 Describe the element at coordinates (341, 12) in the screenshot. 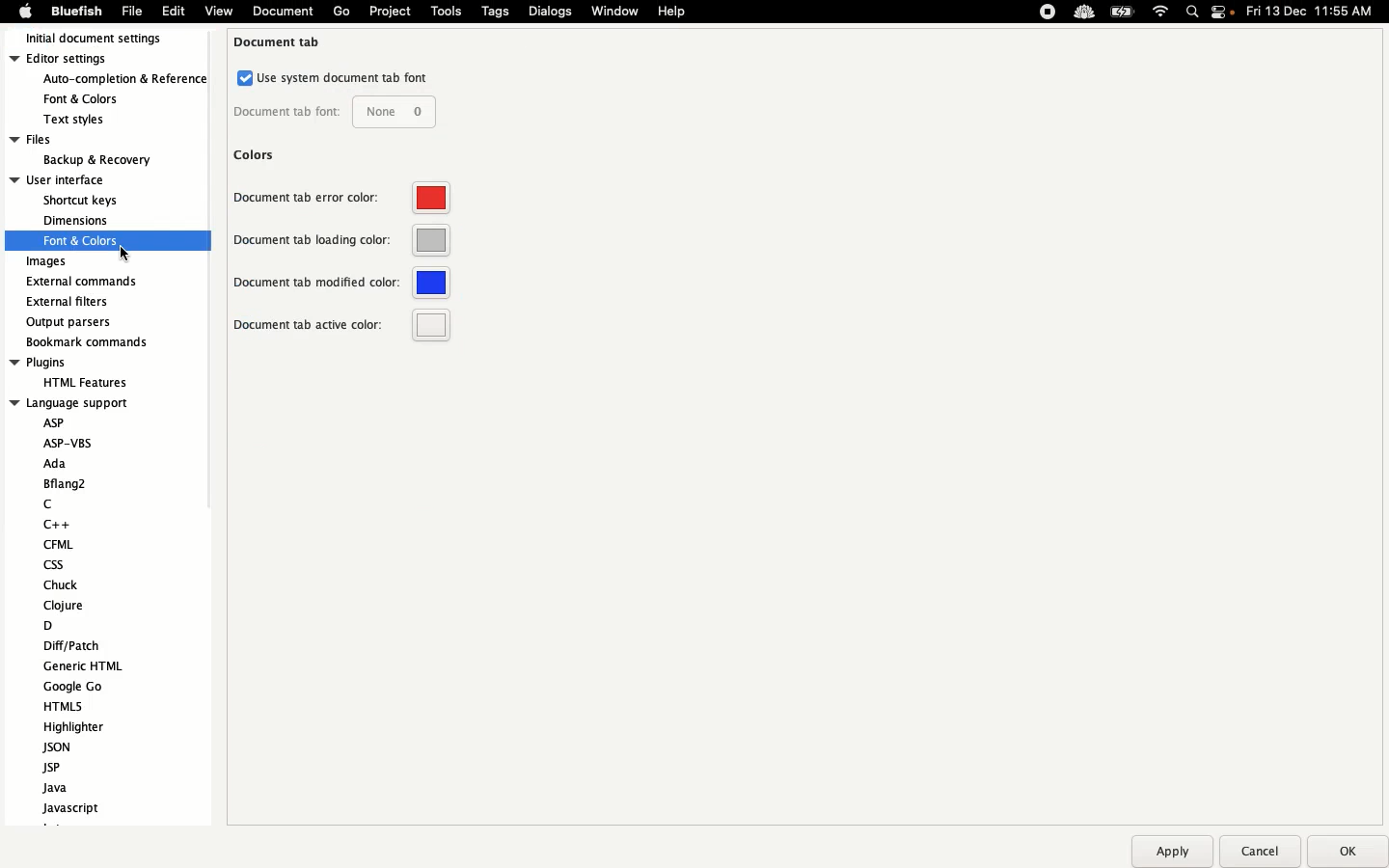

I see `Go` at that location.